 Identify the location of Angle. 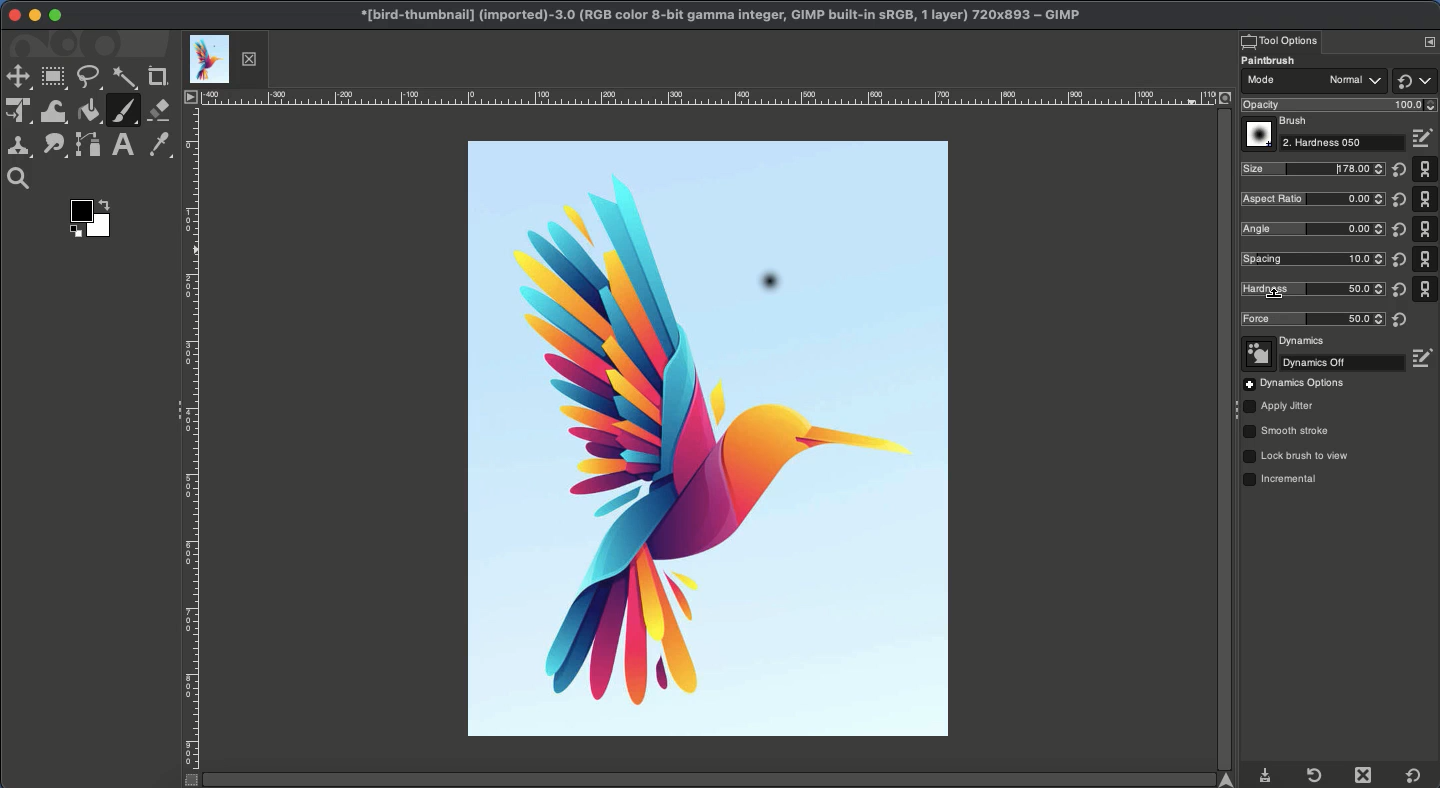
(1311, 228).